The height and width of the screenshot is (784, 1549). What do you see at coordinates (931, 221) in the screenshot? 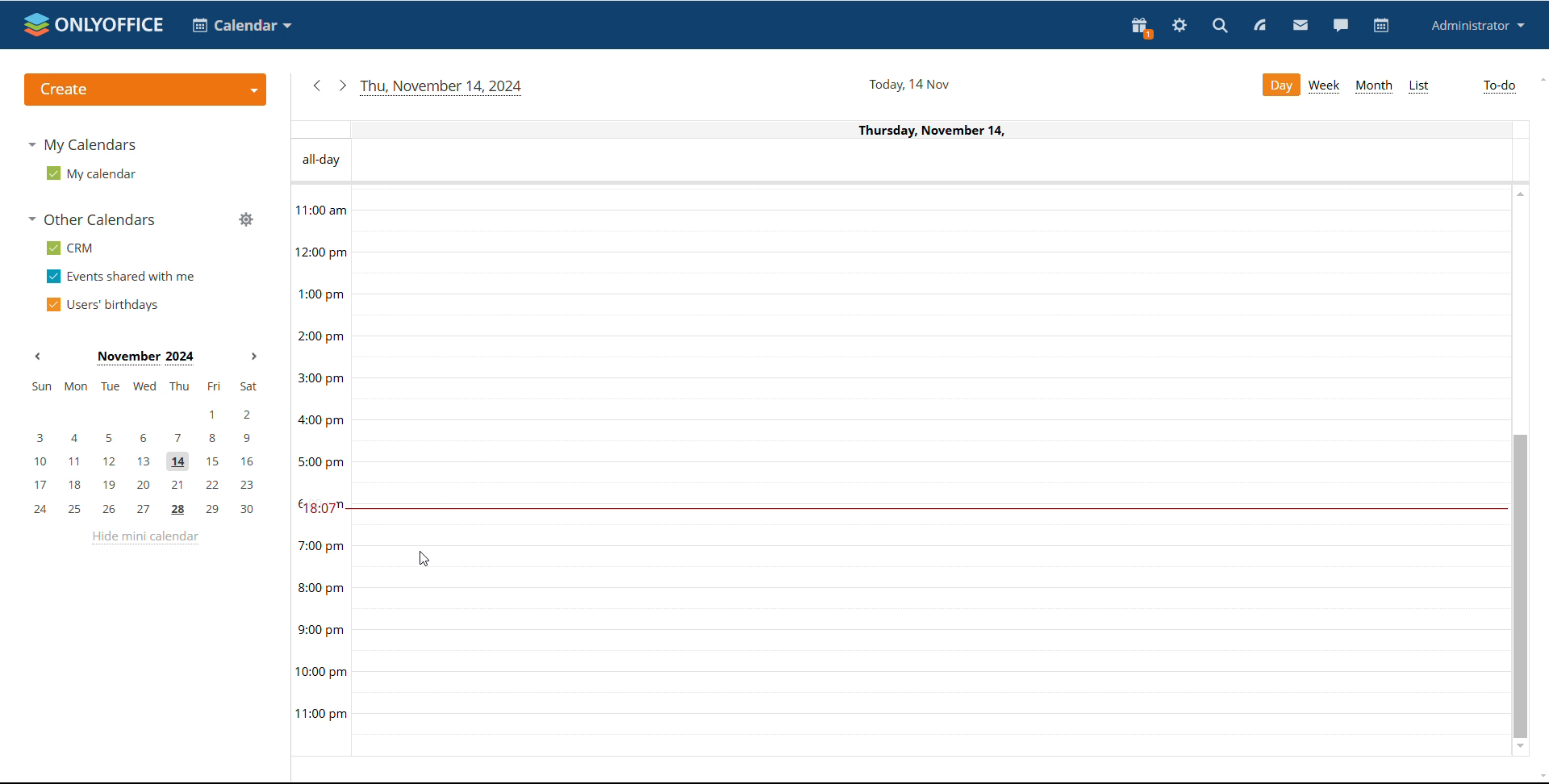
I see `30 min time block` at bounding box center [931, 221].